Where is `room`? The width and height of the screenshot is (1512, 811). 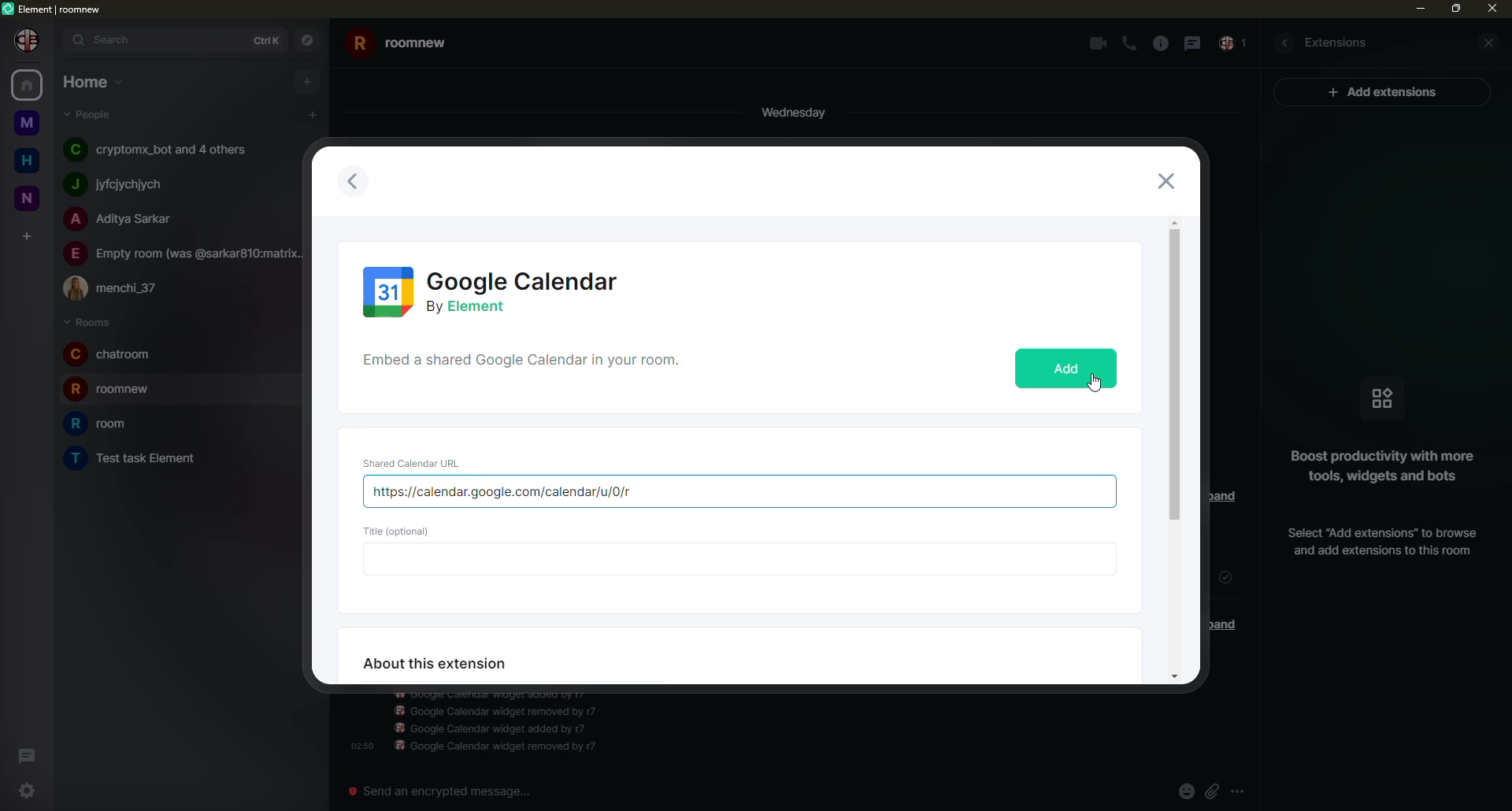
room is located at coordinates (112, 354).